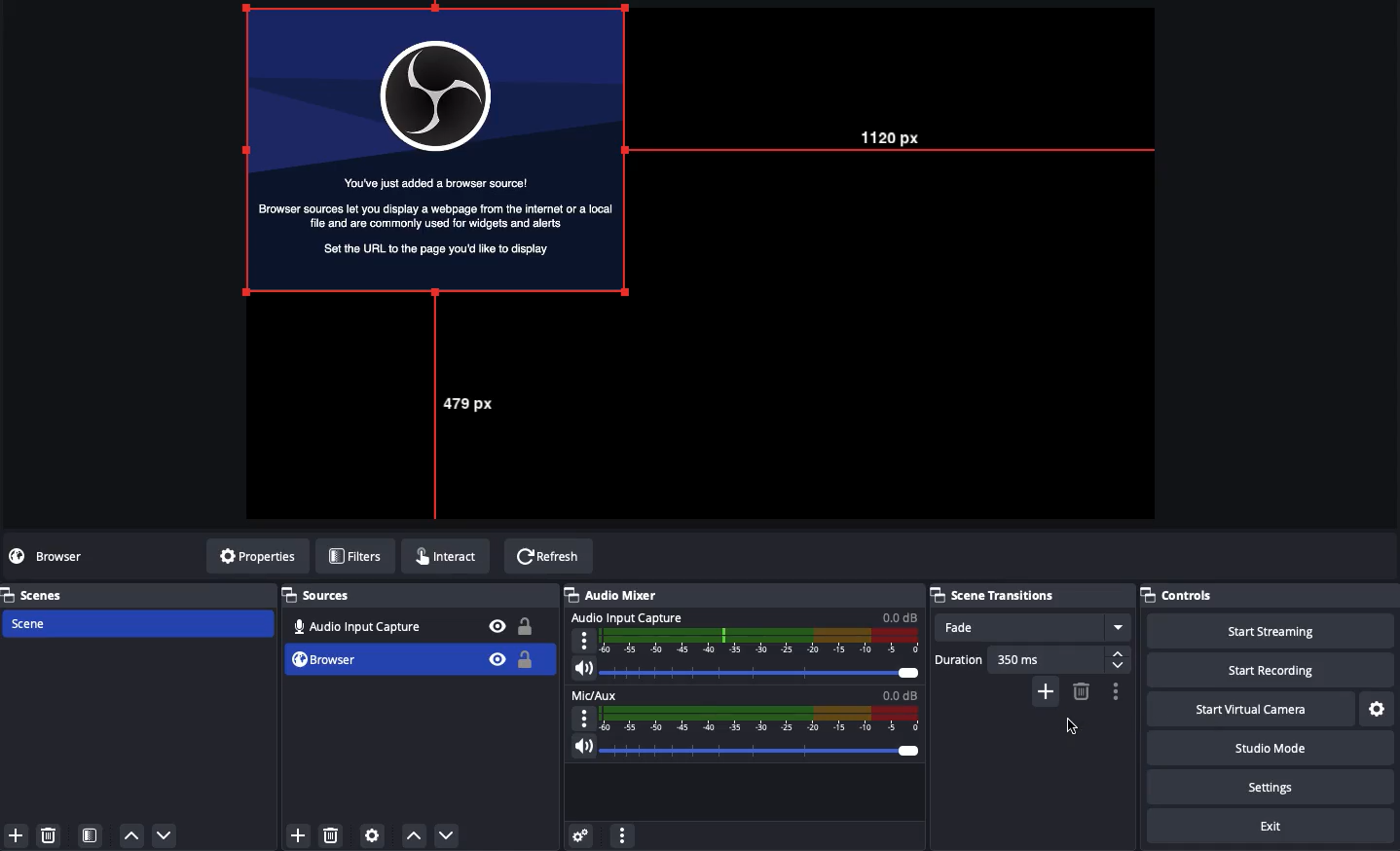 This screenshot has height=851, width=1400. What do you see at coordinates (322, 596) in the screenshot?
I see `Sources` at bounding box center [322, 596].